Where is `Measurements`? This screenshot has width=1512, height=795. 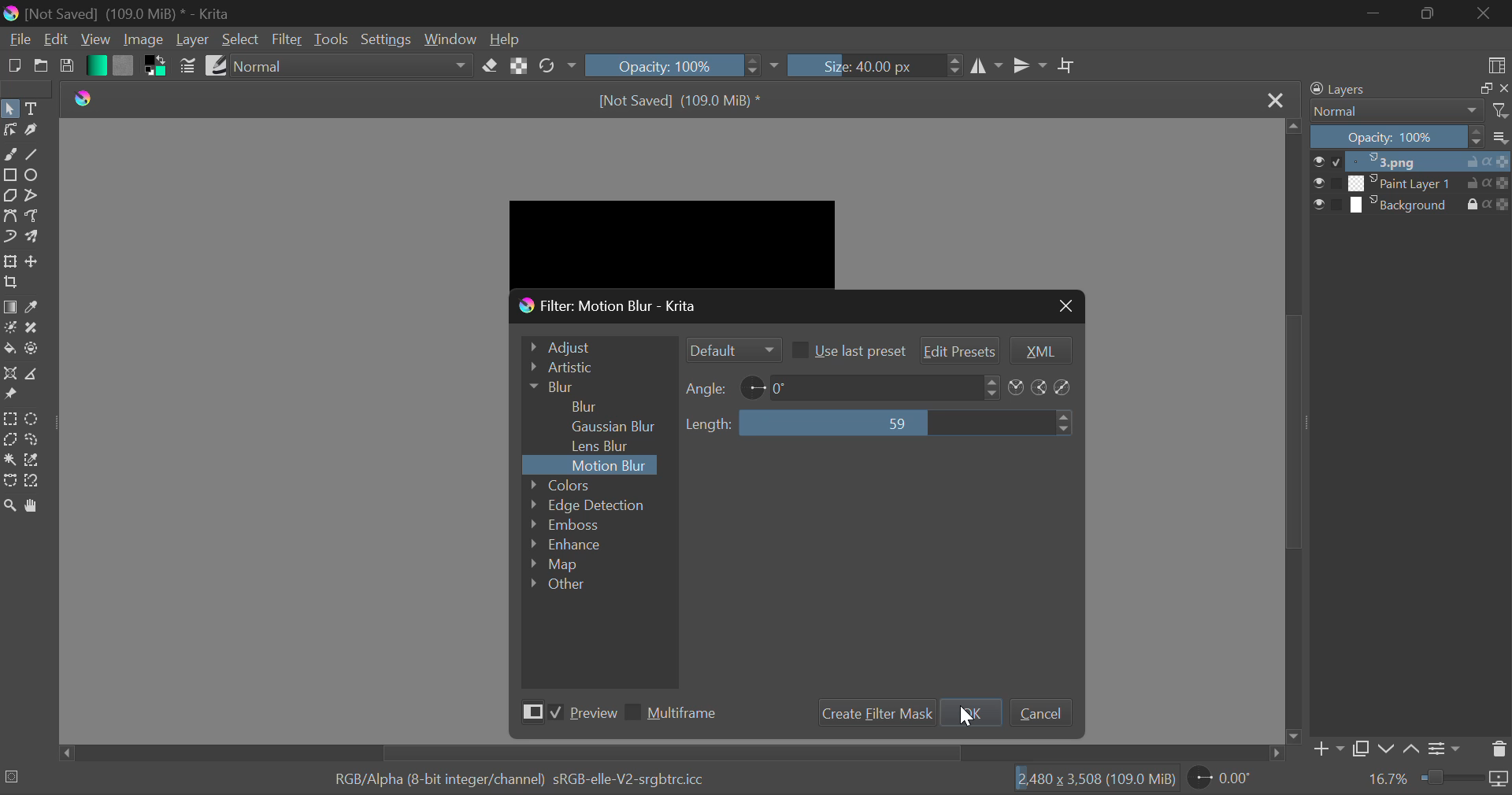 Measurements is located at coordinates (36, 374).